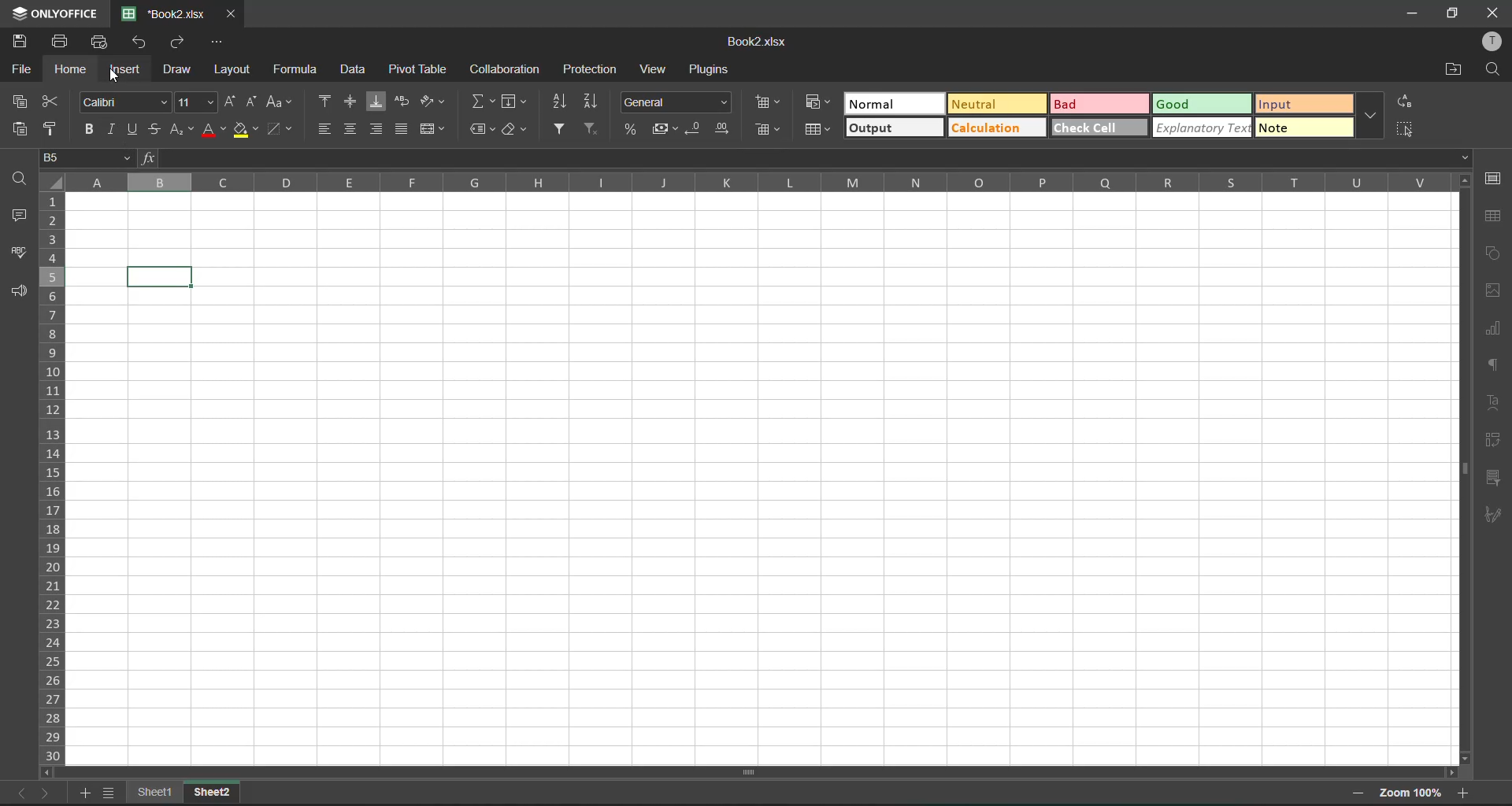 The width and height of the screenshot is (1512, 806). What do you see at coordinates (377, 128) in the screenshot?
I see `align right` at bounding box center [377, 128].